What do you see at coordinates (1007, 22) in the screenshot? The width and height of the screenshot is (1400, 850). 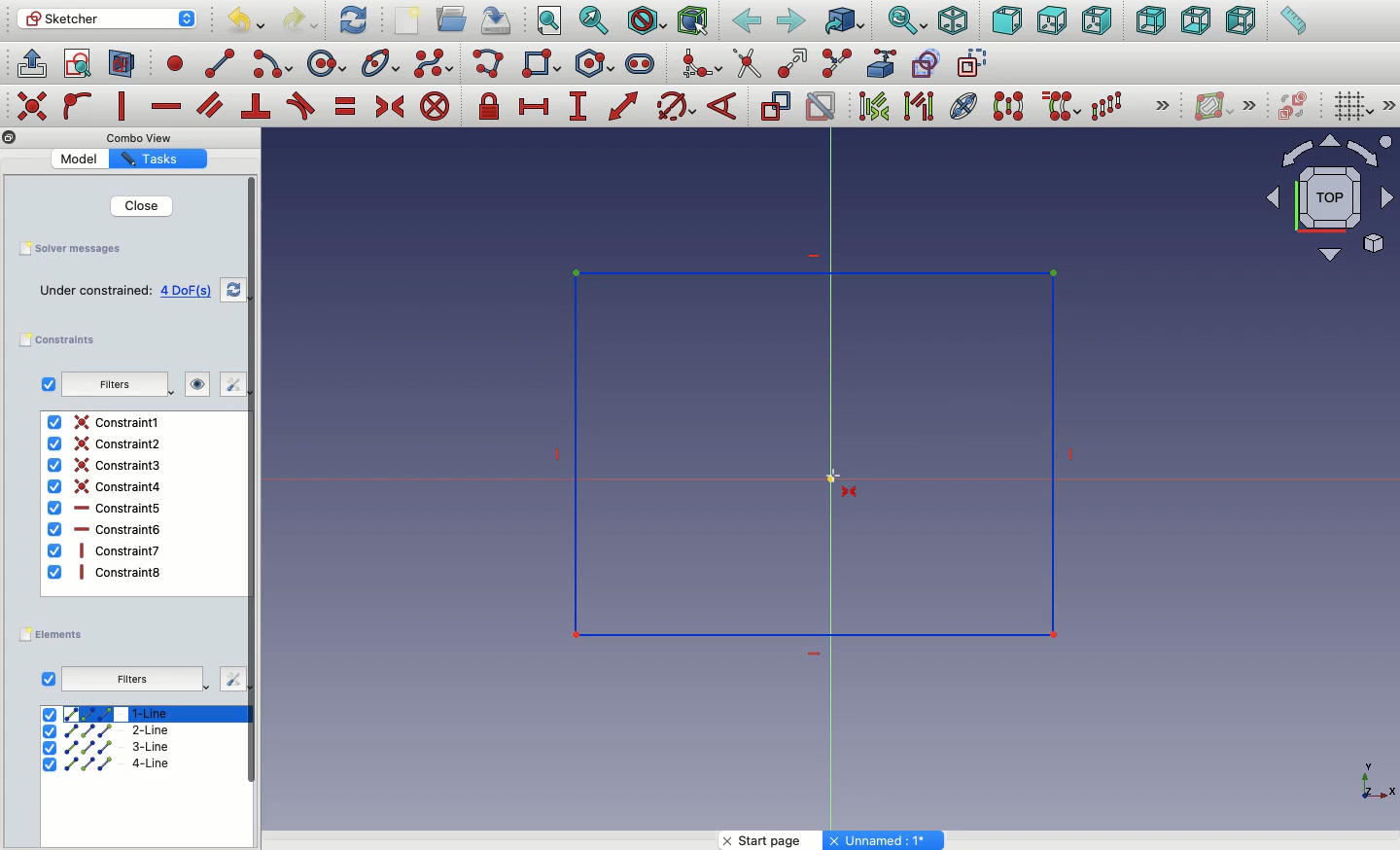 I see `Front` at bounding box center [1007, 22].